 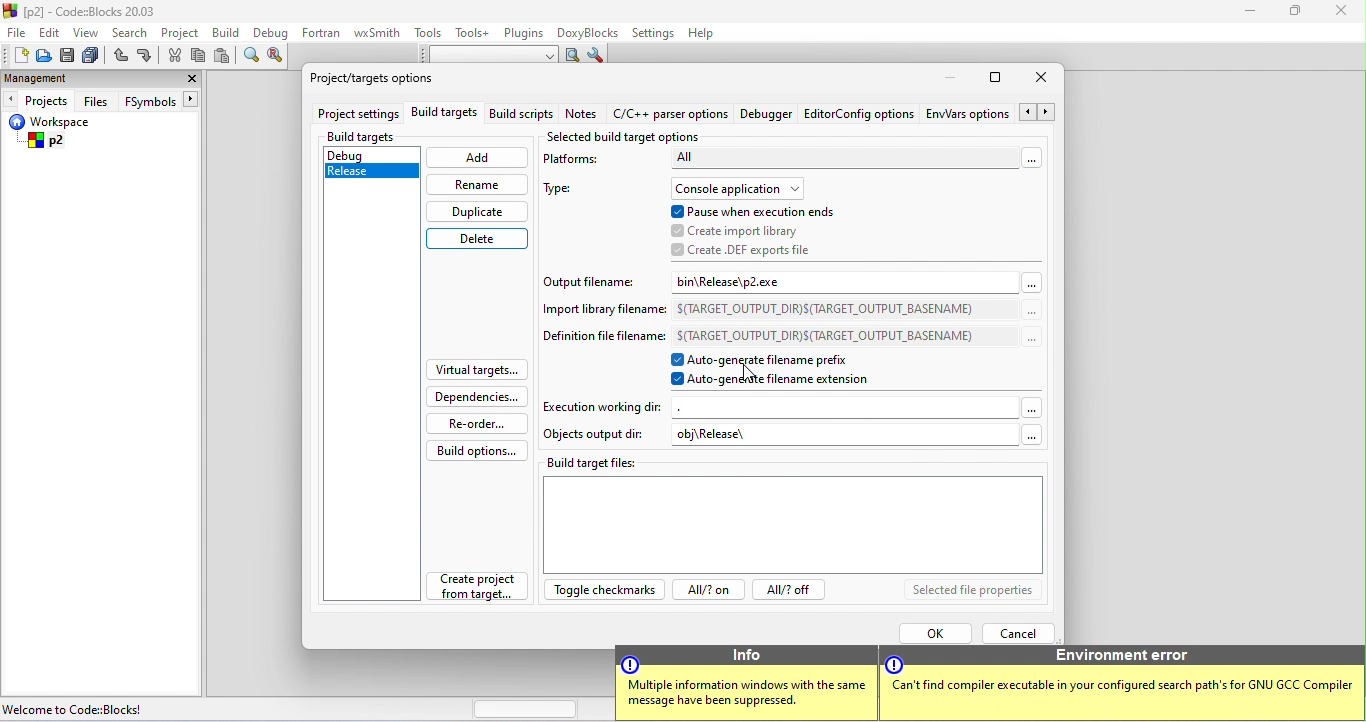 I want to click on replace, so click(x=279, y=60).